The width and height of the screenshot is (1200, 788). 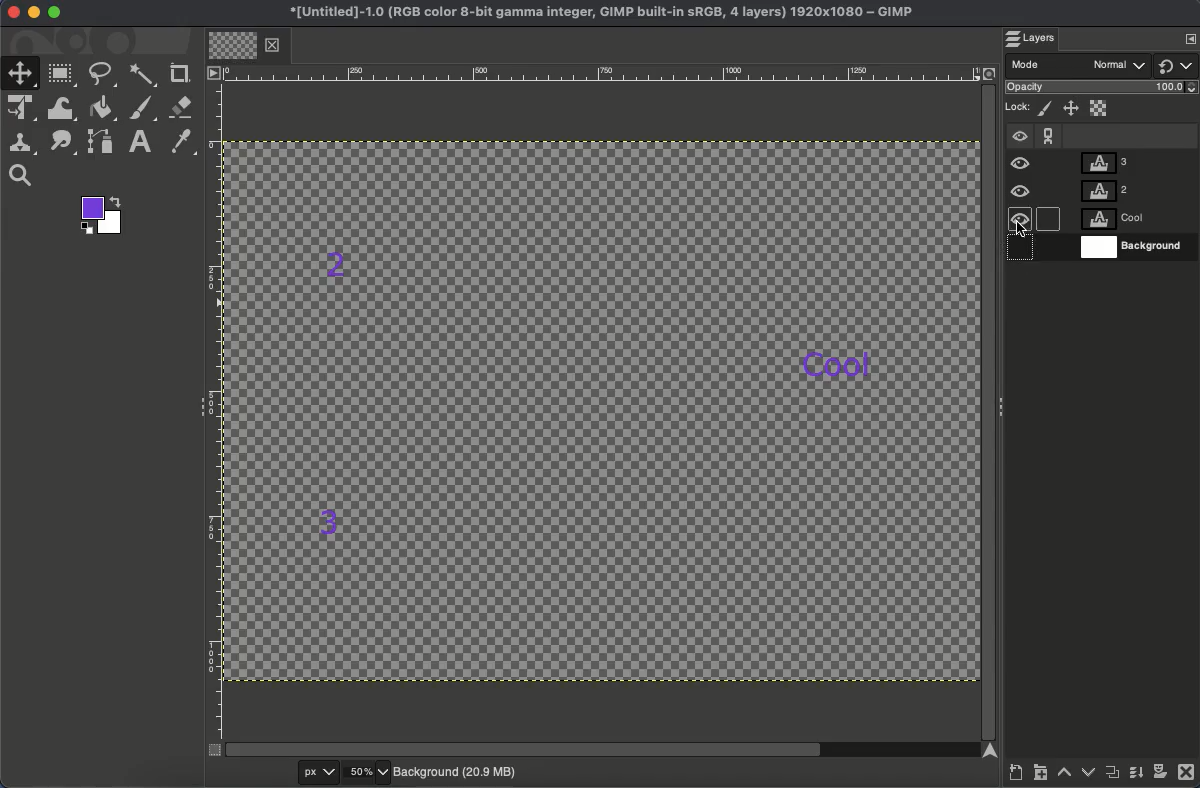 What do you see at coordinates (988, 409) in the screenshot?
I see `Scroll` at bounding box center [988, 409].